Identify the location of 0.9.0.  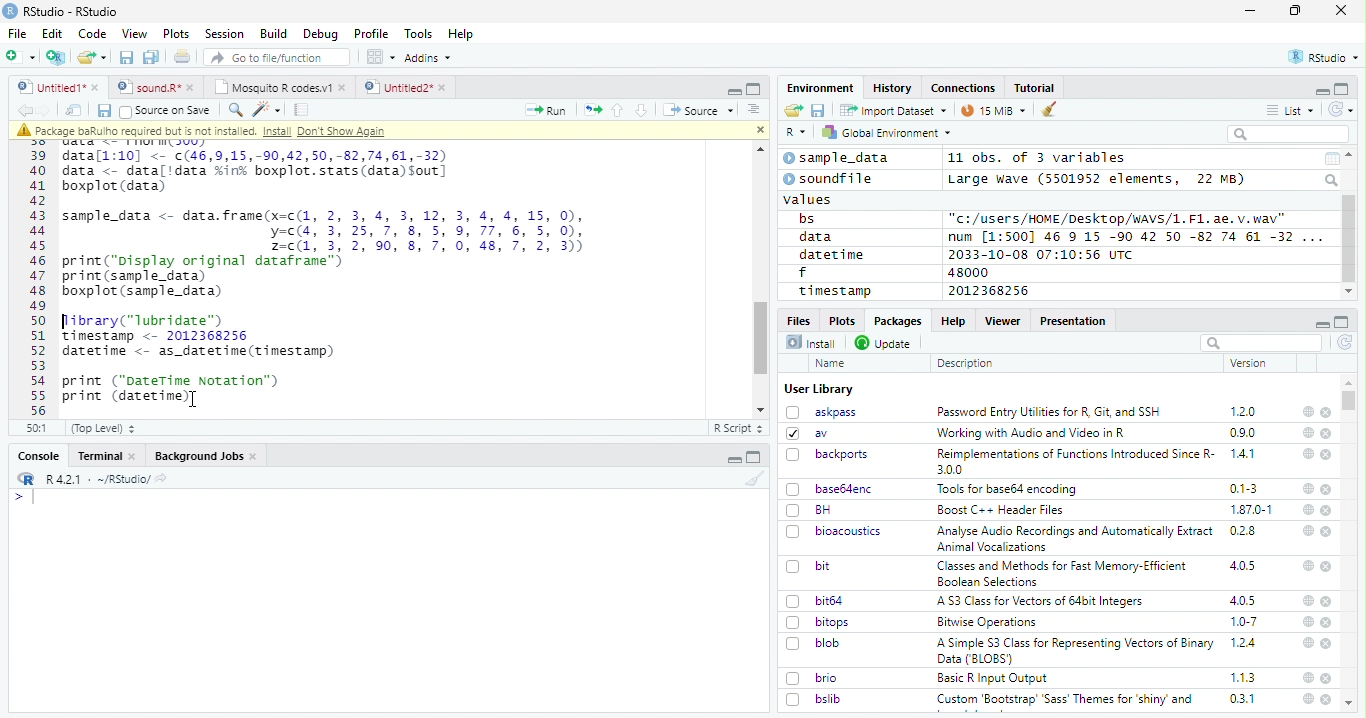
(1243, 433).